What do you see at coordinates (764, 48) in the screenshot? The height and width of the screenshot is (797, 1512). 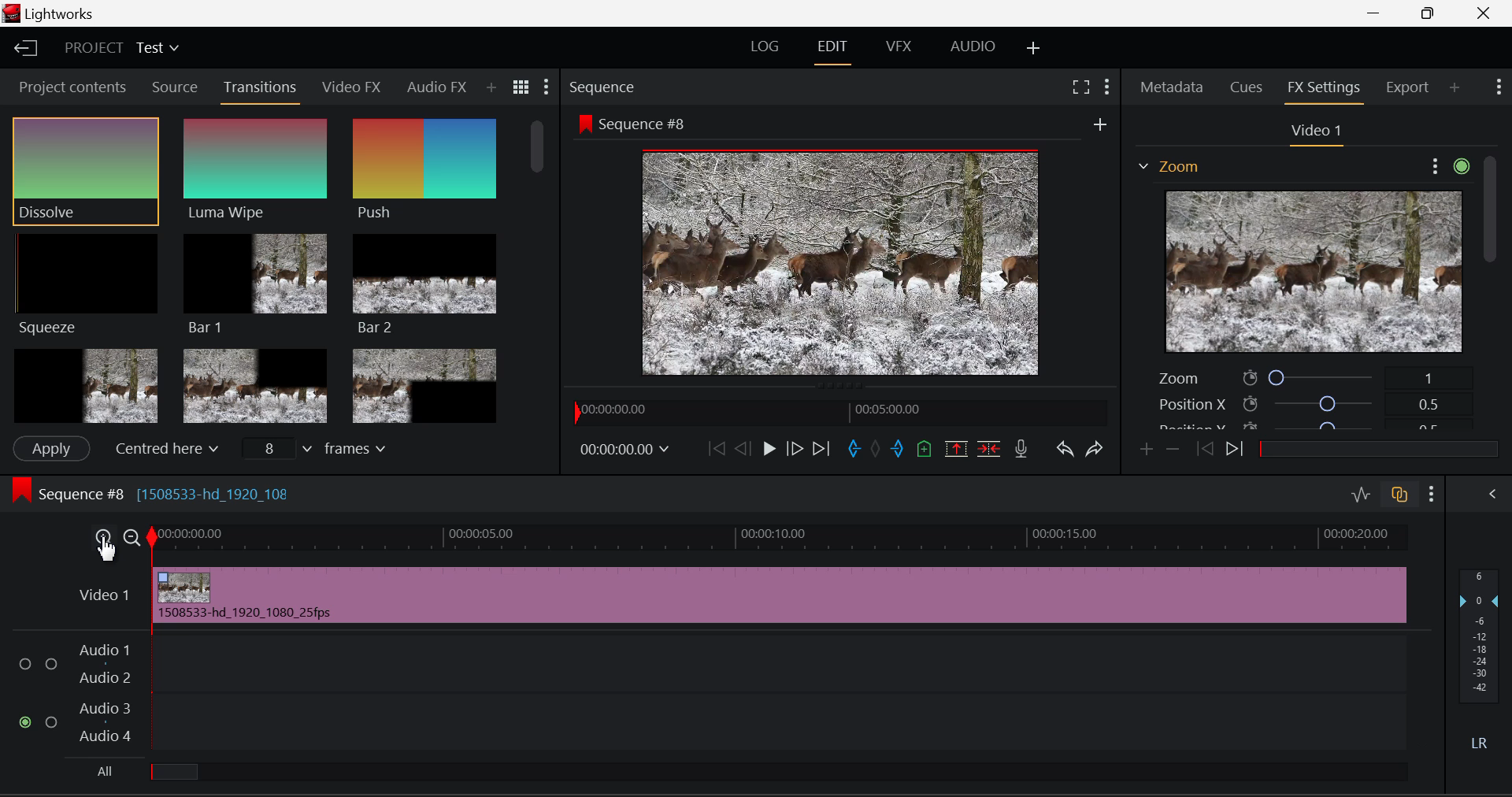 I see `LOG Layout` at bounding box center [764, 48].